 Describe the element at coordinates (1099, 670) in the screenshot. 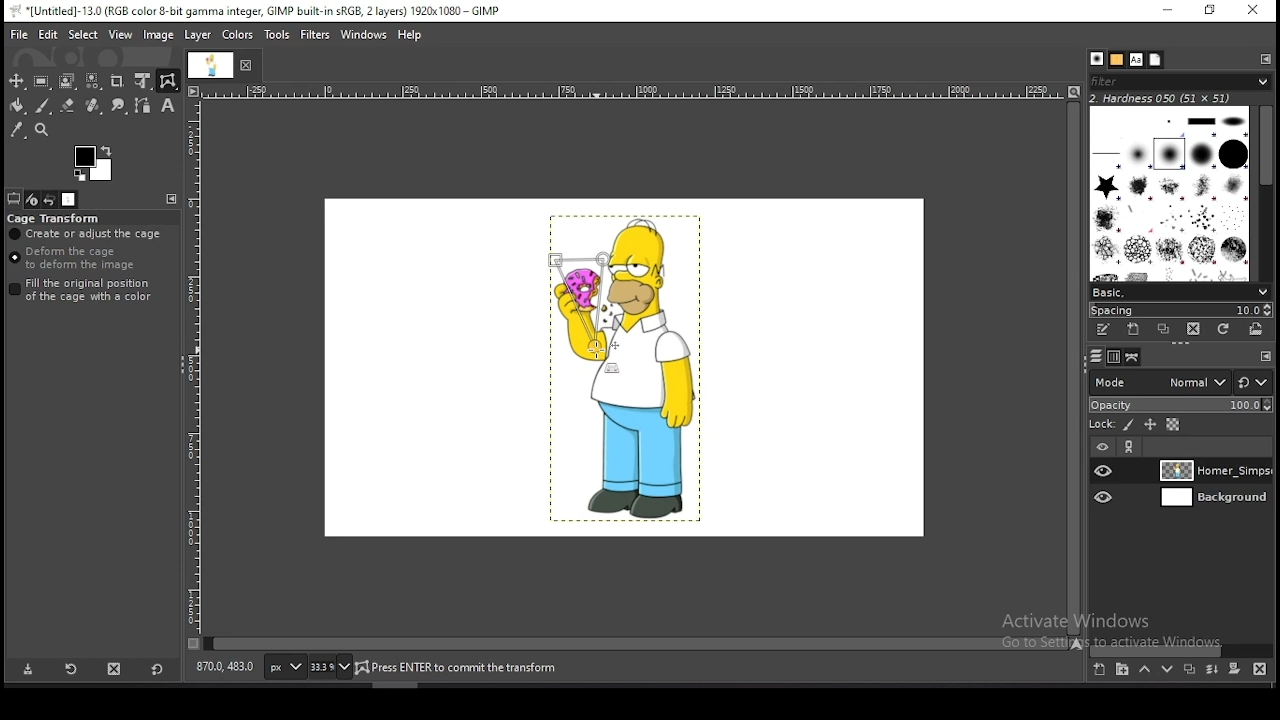

I see `create a new layer` at that location.